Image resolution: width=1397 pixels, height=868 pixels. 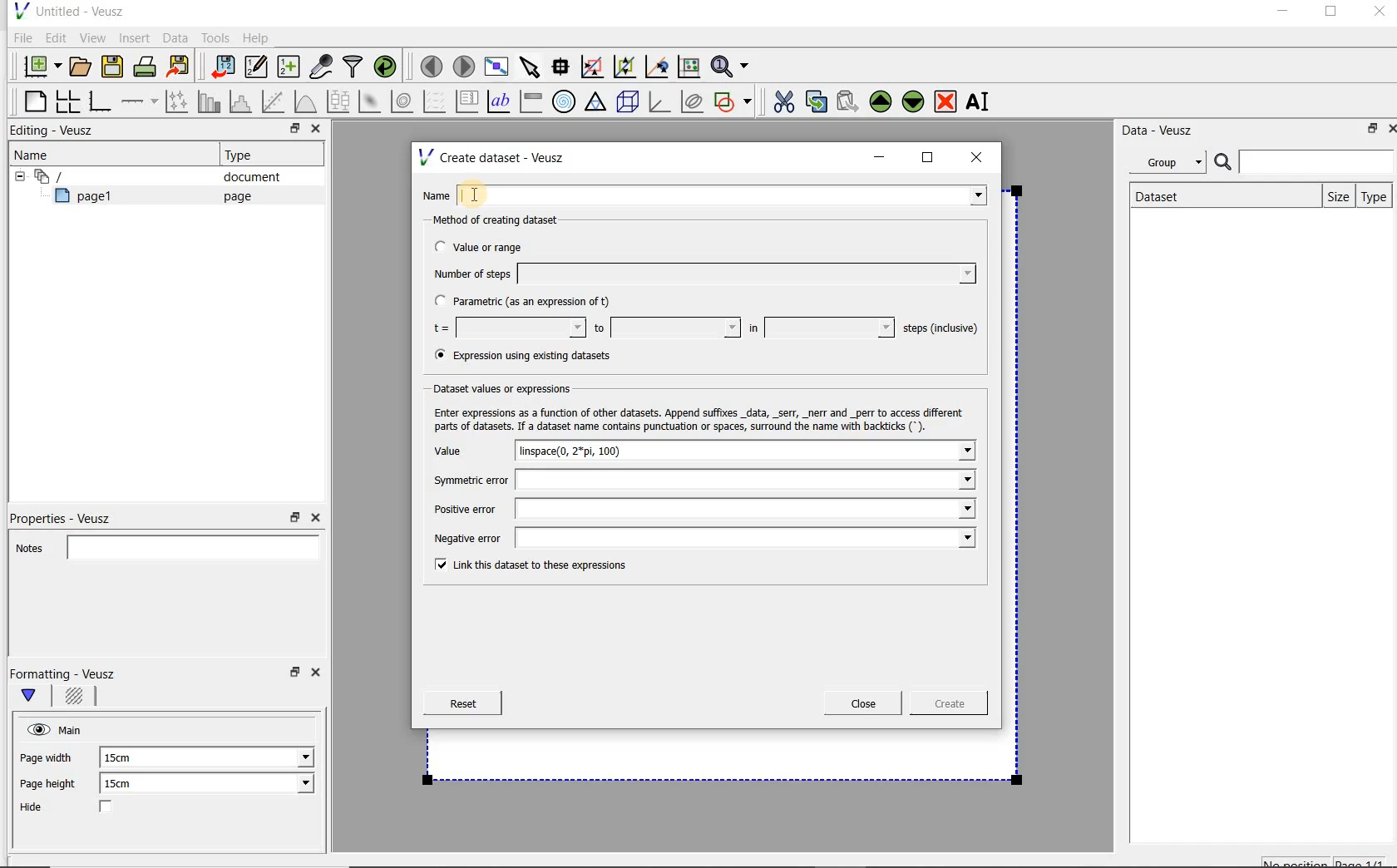 I want to click on Parametric (as an expression of t), so click(x=530, y=302).